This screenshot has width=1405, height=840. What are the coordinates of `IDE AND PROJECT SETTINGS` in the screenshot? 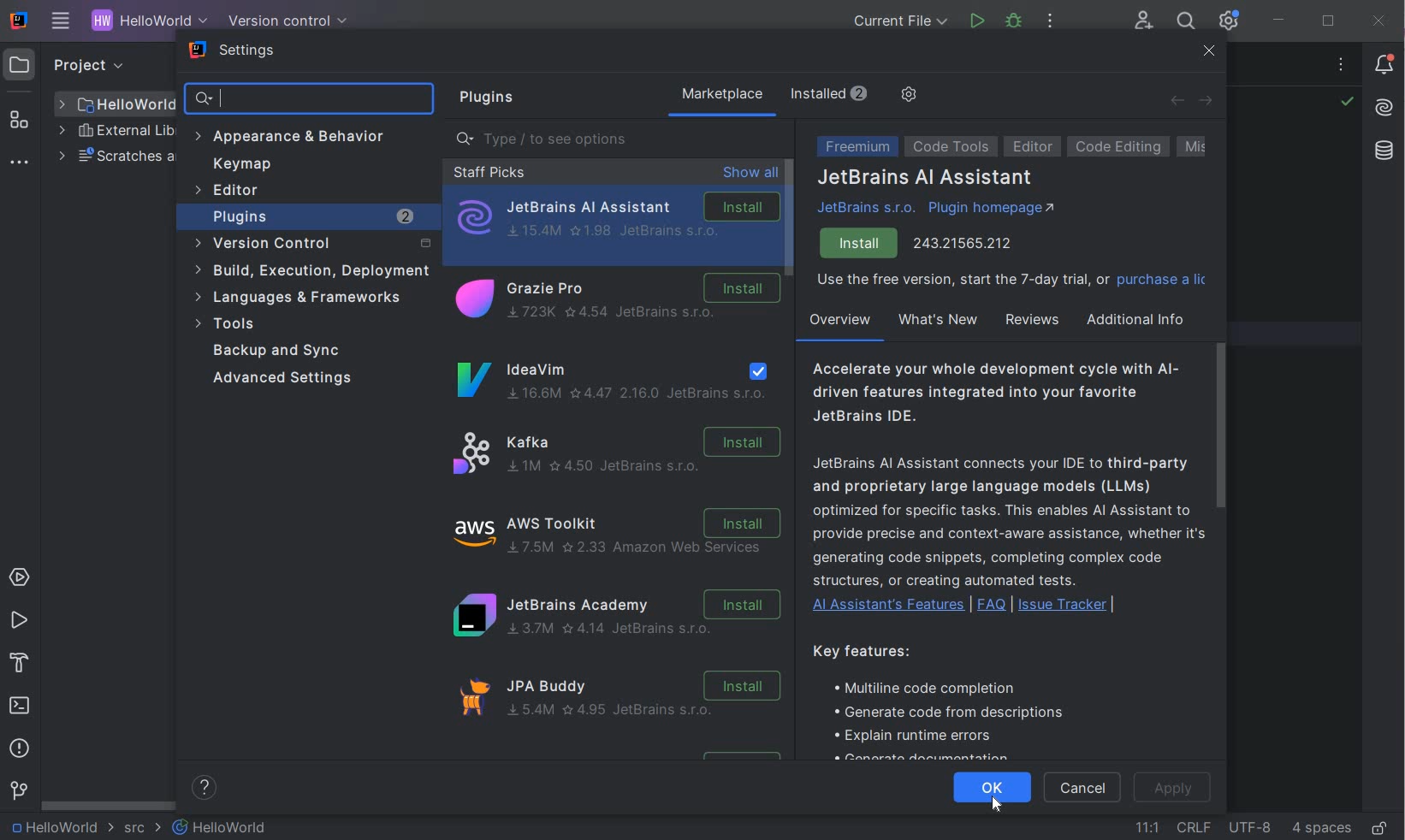 It's located at (1227, 21).